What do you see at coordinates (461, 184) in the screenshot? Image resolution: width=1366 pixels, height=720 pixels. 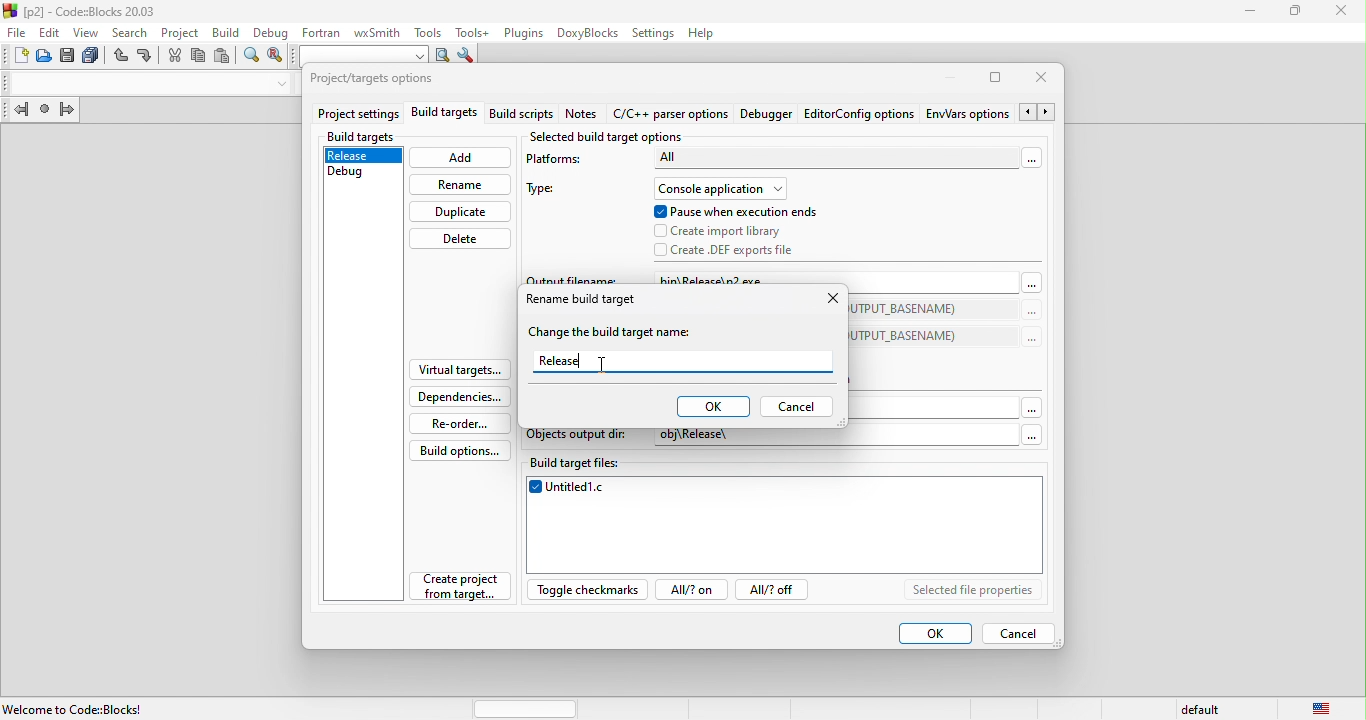 I see `rename` at bounding box center [461, 184].